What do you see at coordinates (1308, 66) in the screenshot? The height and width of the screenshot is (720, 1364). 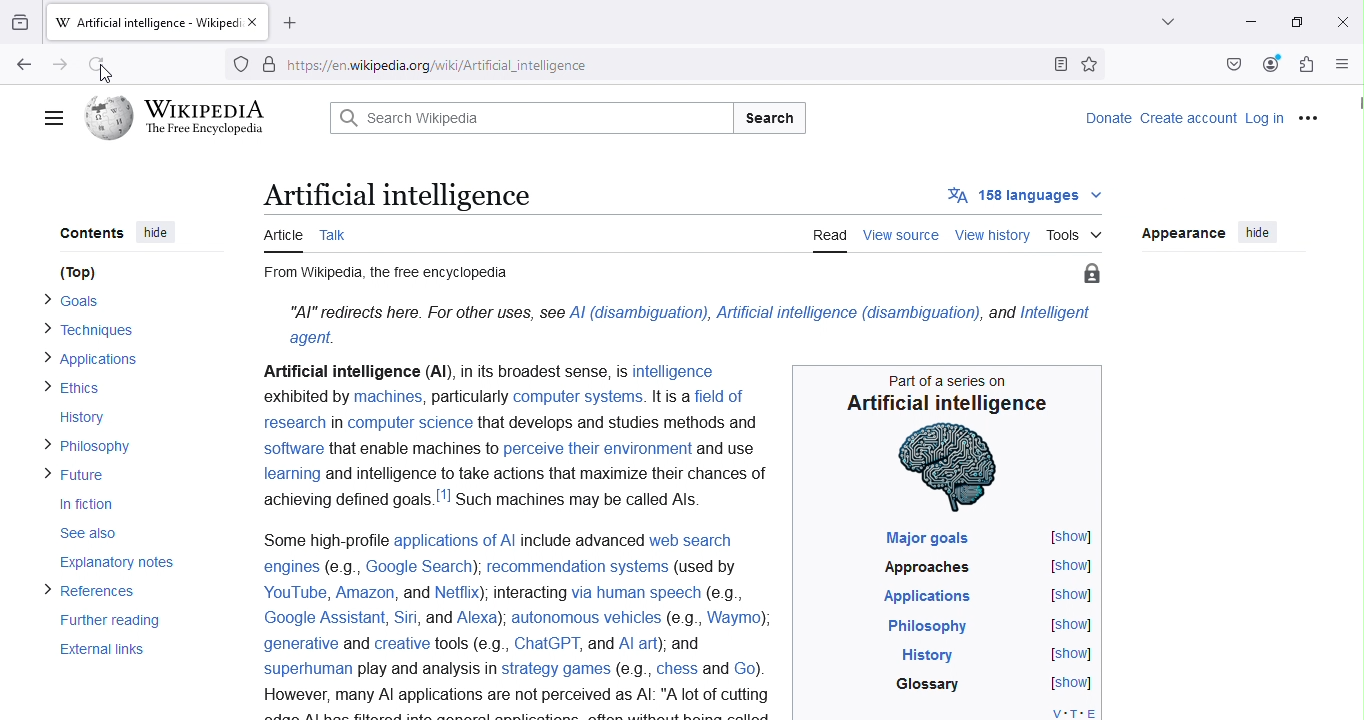 I see `Extensions` at bounding box center [1308, 66].